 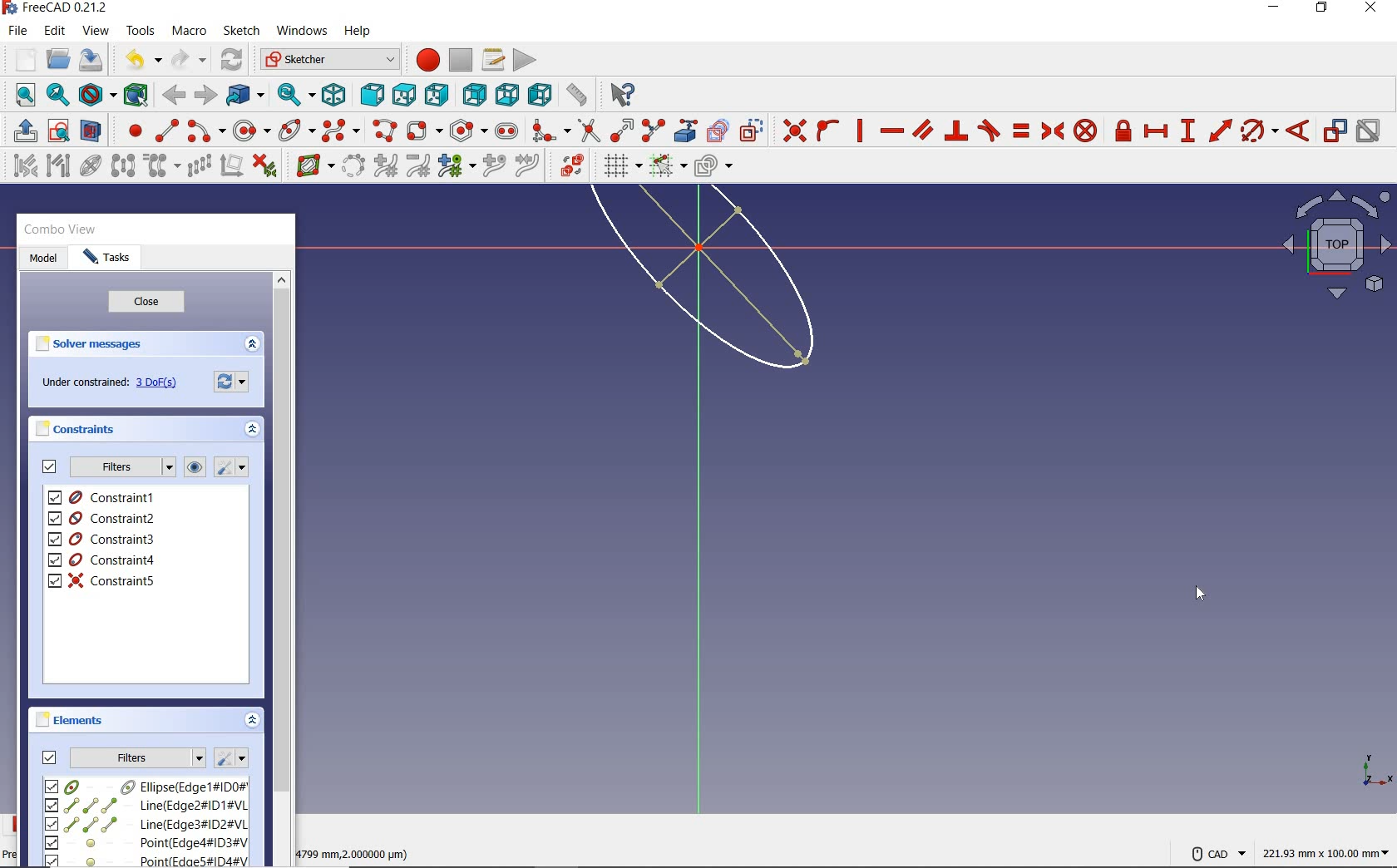 I want to click on create polyline, so click(x=383, y=131).